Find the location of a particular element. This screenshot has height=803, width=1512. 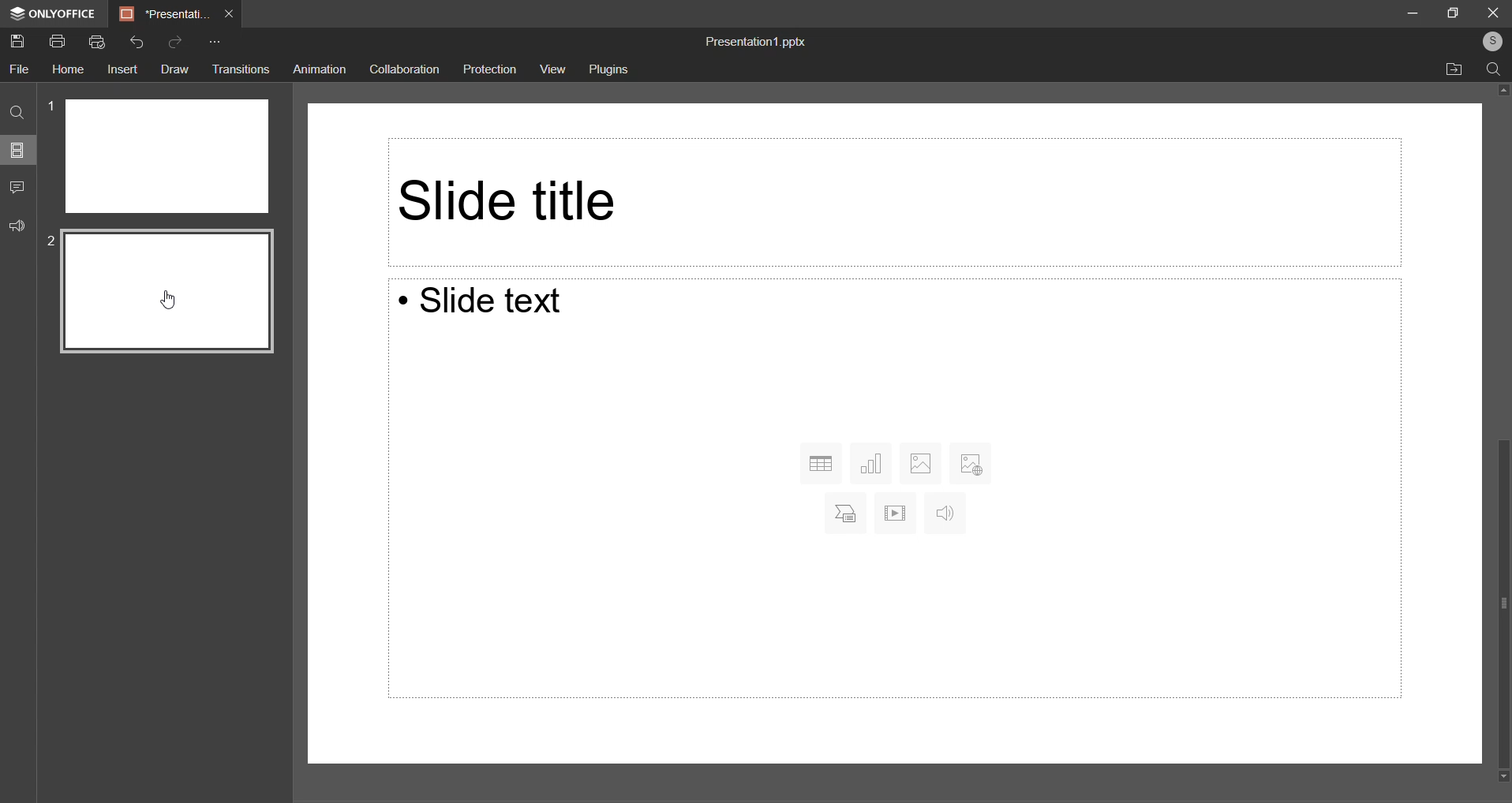

Redo is located at coordinates (177, 43).